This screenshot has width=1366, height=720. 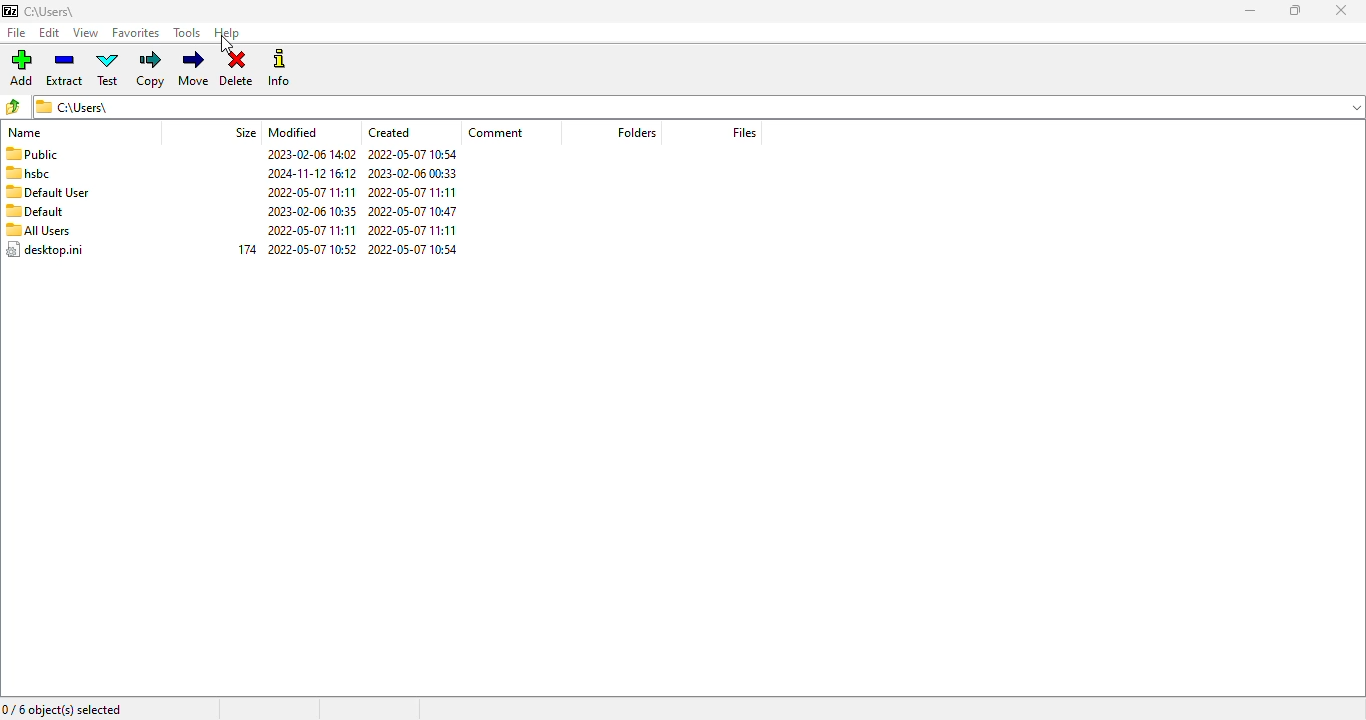 I want to click on files, so click(x=745, y=132).